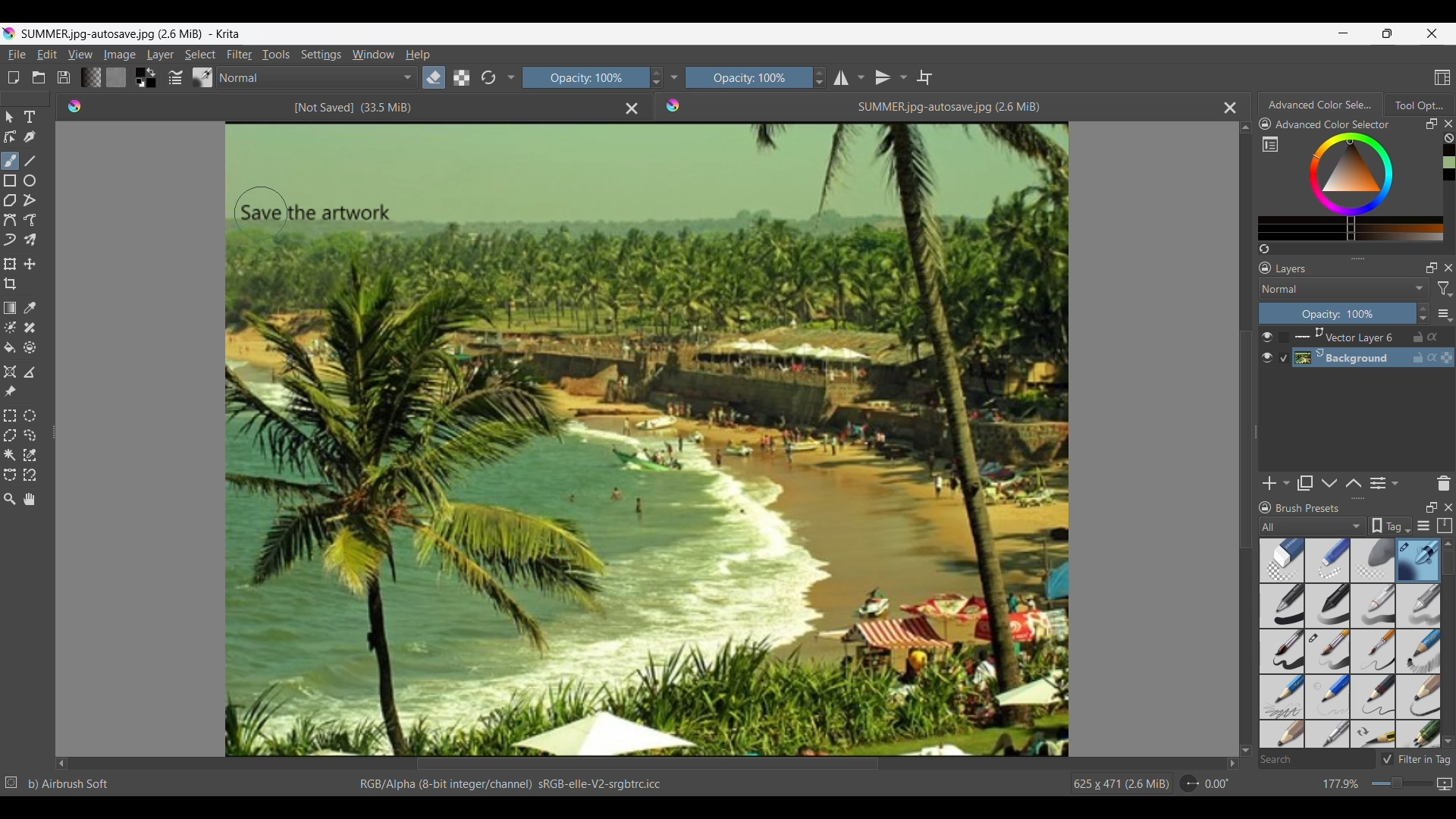 The image size is (1456, 819). Describe the element at coordinates (1316, 759) in the screenshot. I see `Search box` at that location.